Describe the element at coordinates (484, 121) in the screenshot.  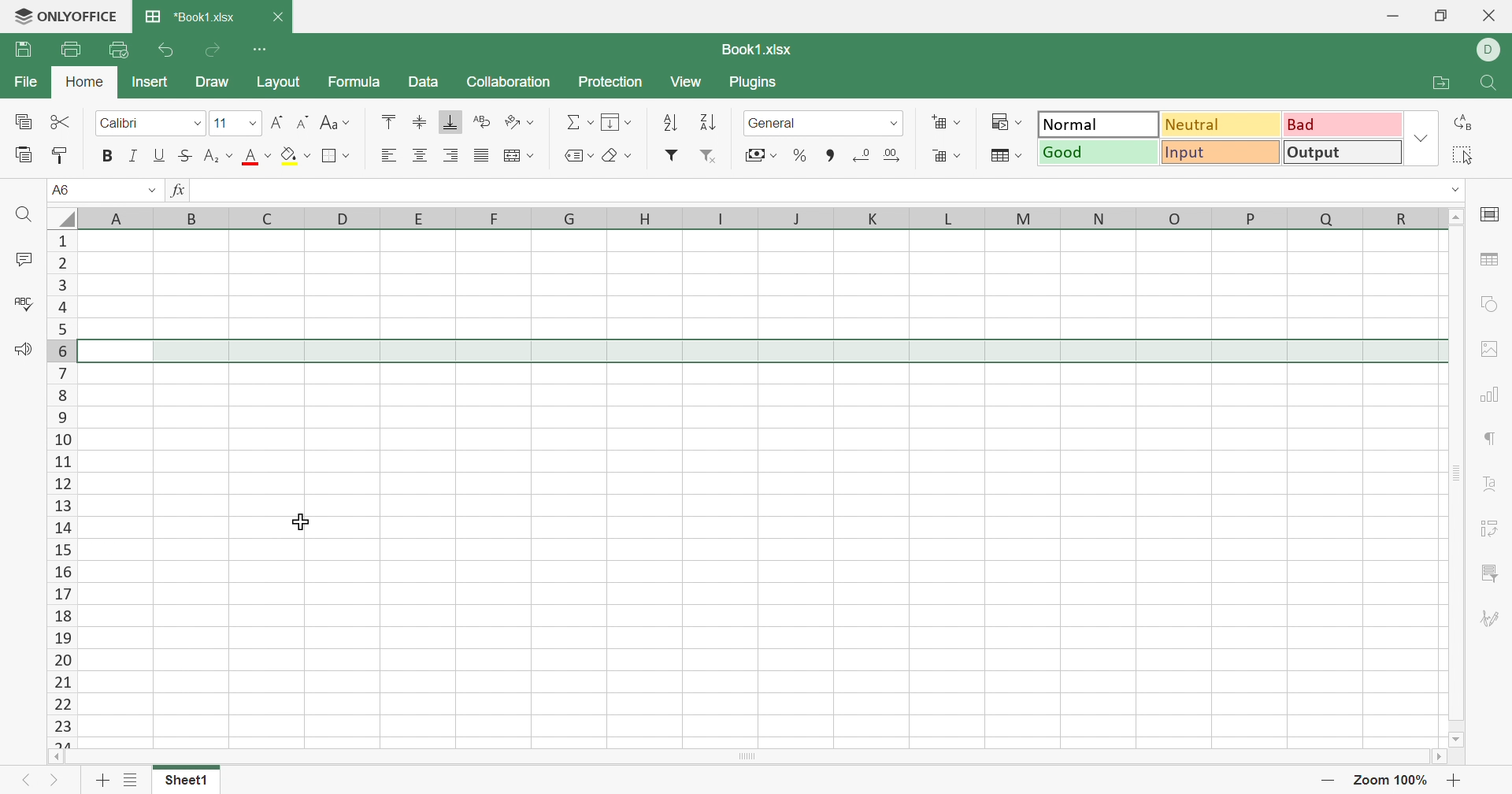
I see `Wrap Text` at that location.